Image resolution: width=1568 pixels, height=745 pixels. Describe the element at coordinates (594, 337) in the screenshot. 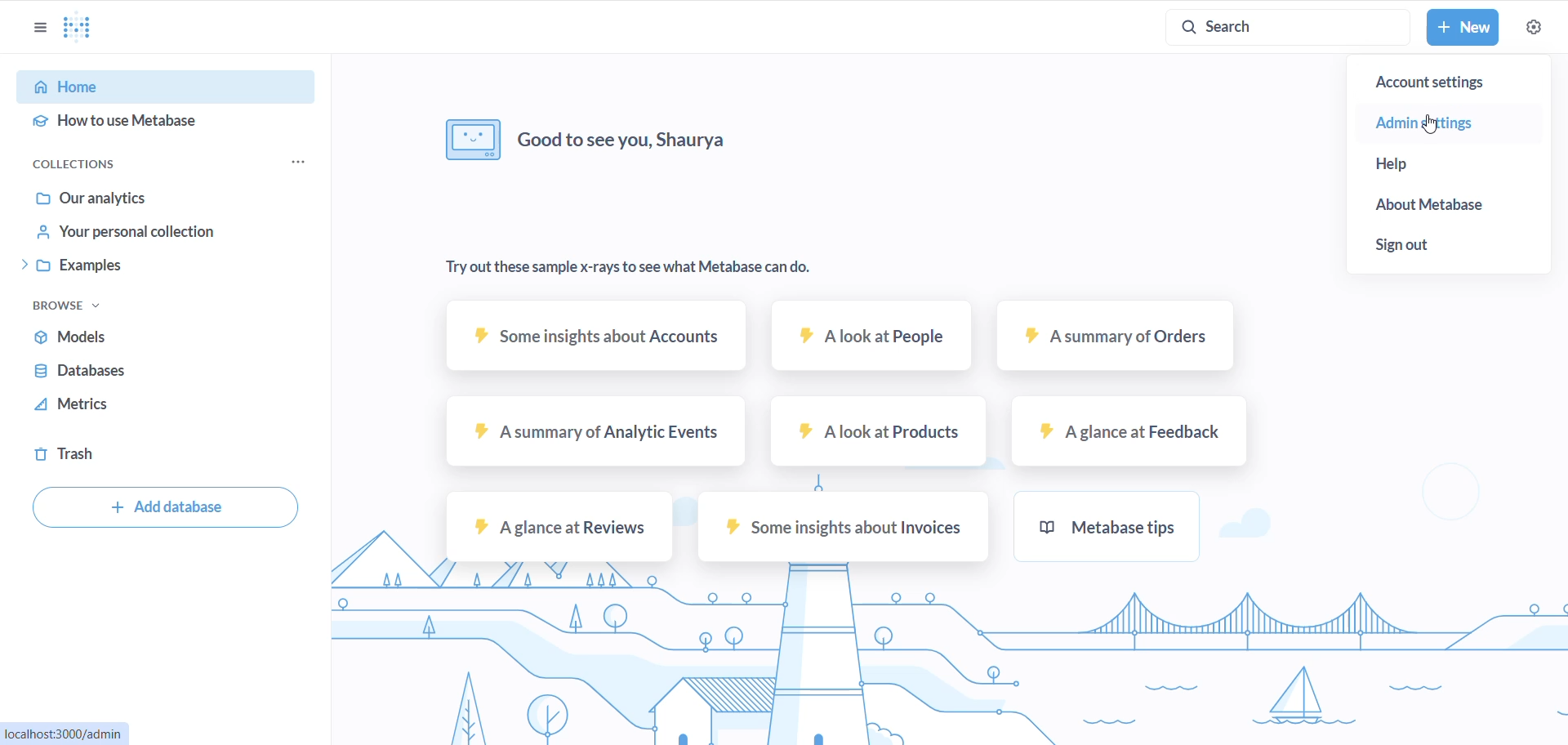

I see `SOME INSIGHTS ABOUT ACCOUNTS` at that location.